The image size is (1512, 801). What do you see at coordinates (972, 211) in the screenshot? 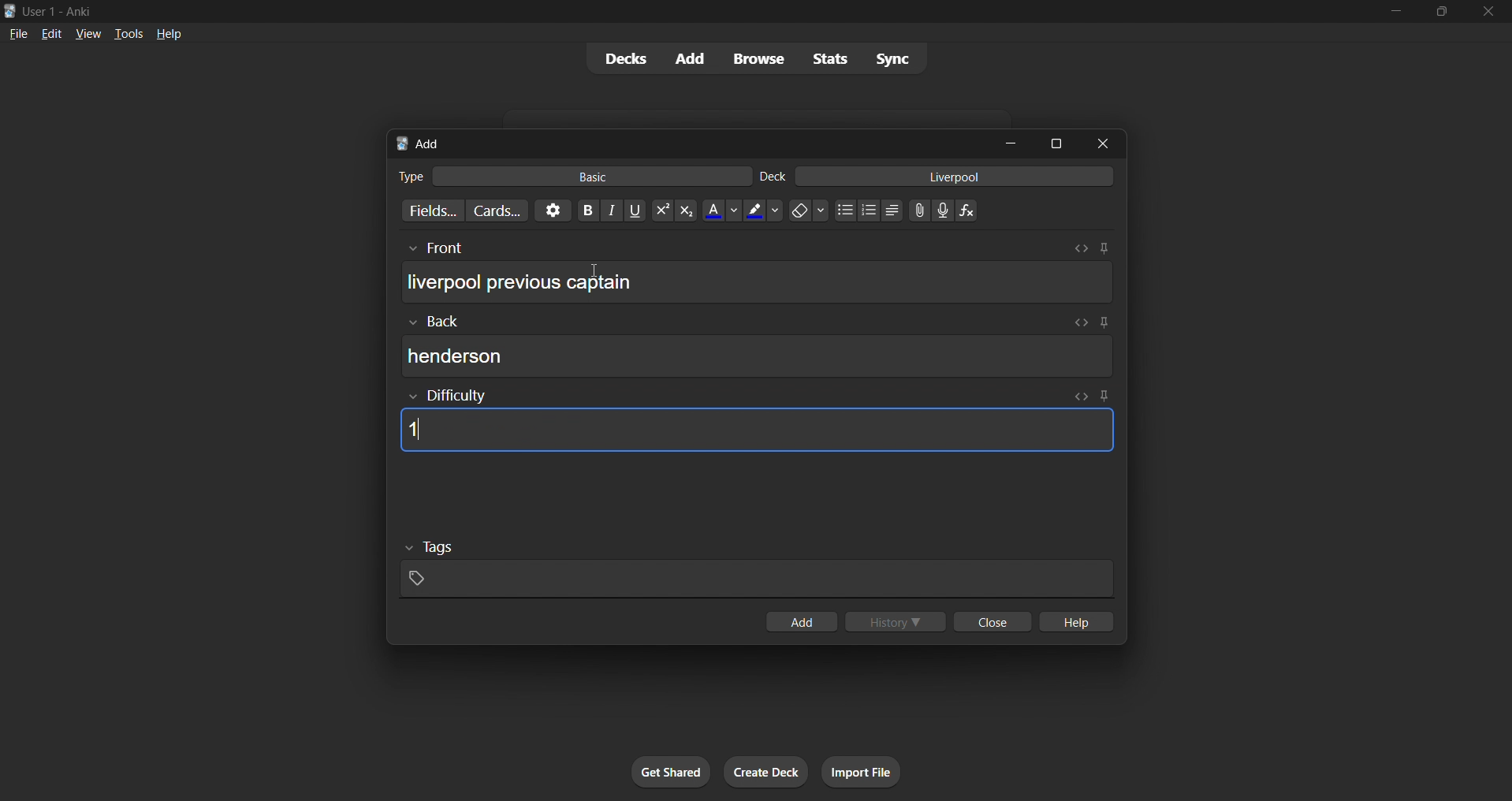
I see `function` at bounding box center [972, 211].